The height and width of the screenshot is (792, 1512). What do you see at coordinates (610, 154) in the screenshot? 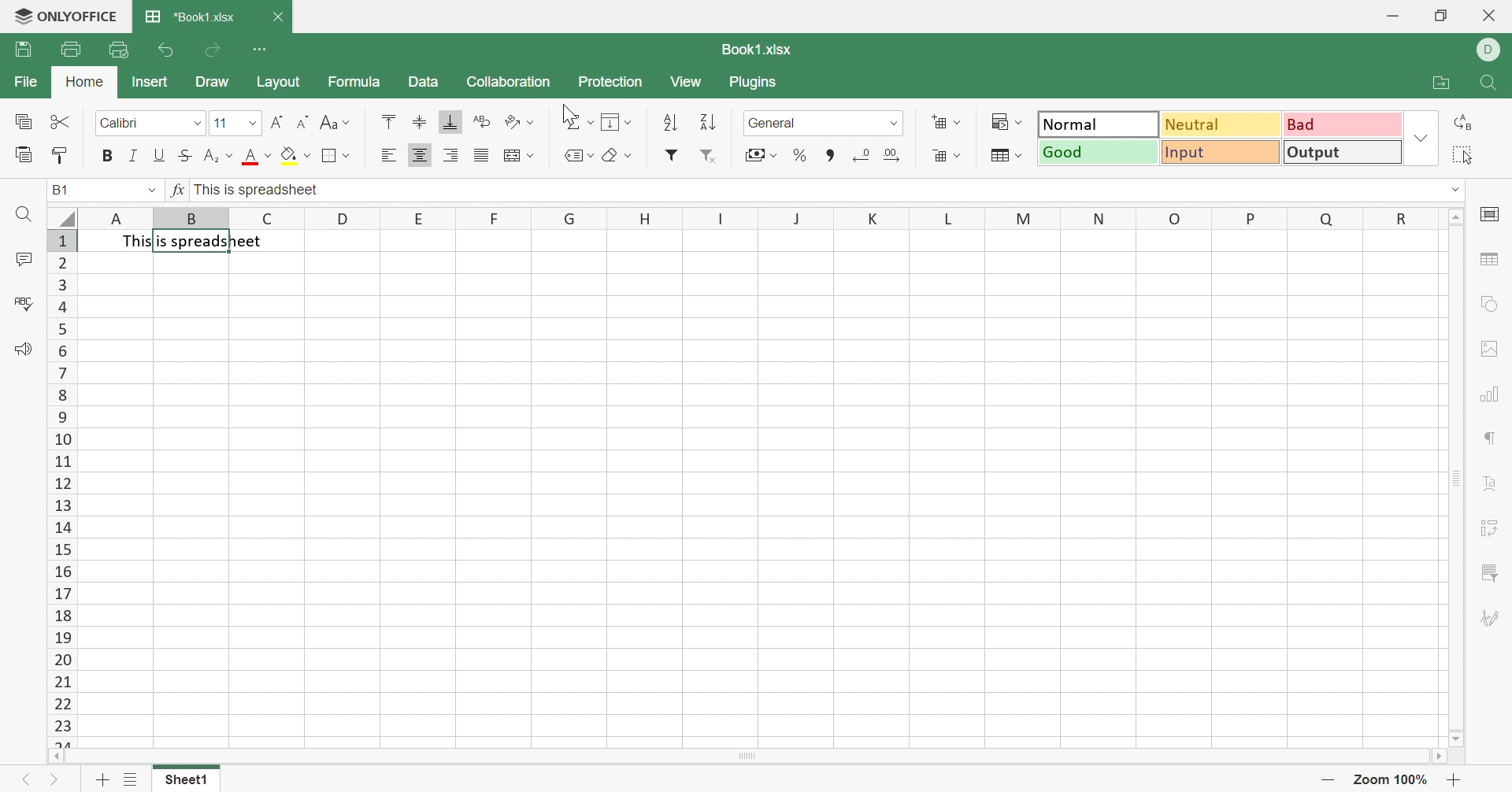
I see `Clear` at bounding box center [610, 154].